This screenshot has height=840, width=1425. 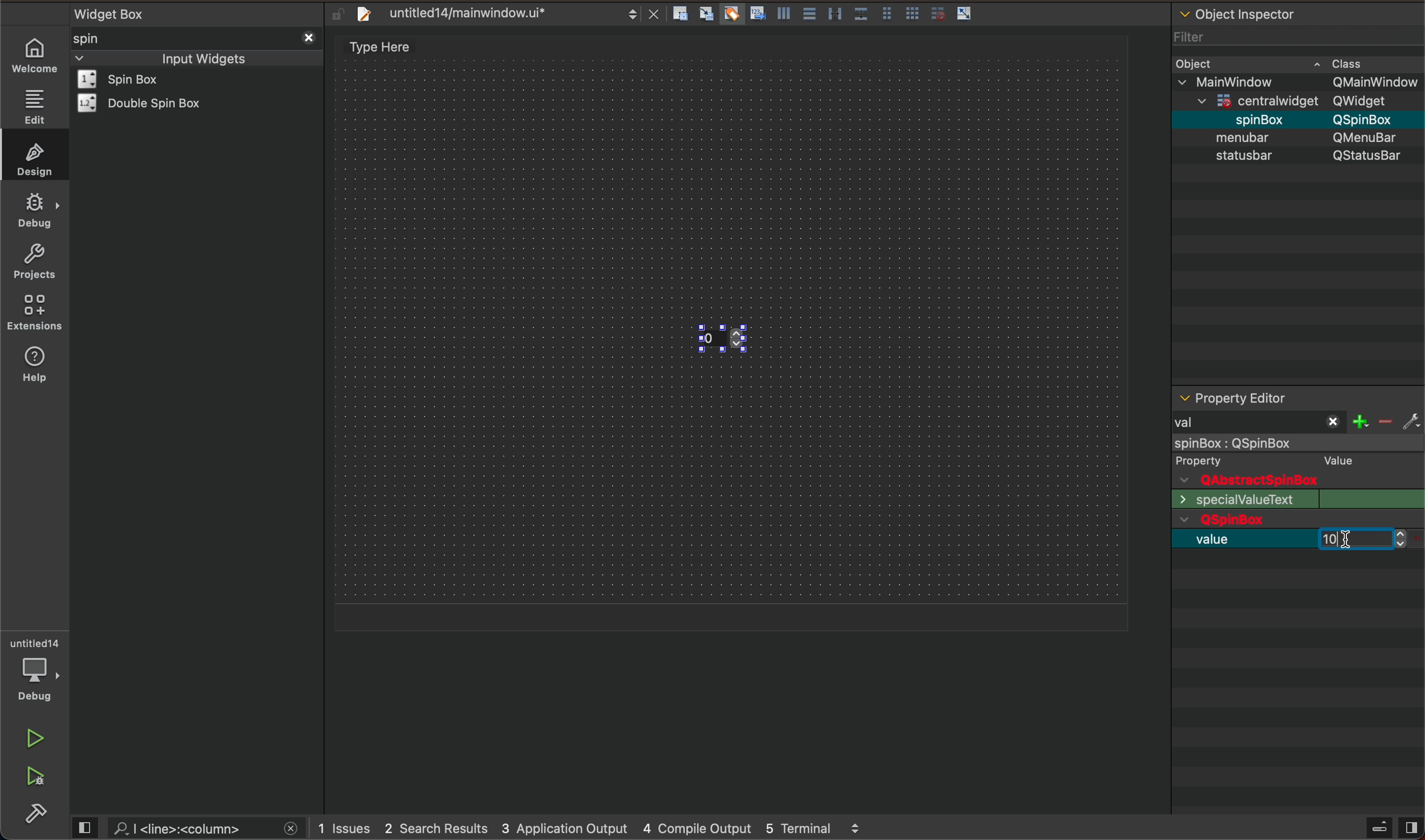 What do you see at coordinates (1246, 81) in the screenshot?
I see `` at bounding box center [1246, 81].